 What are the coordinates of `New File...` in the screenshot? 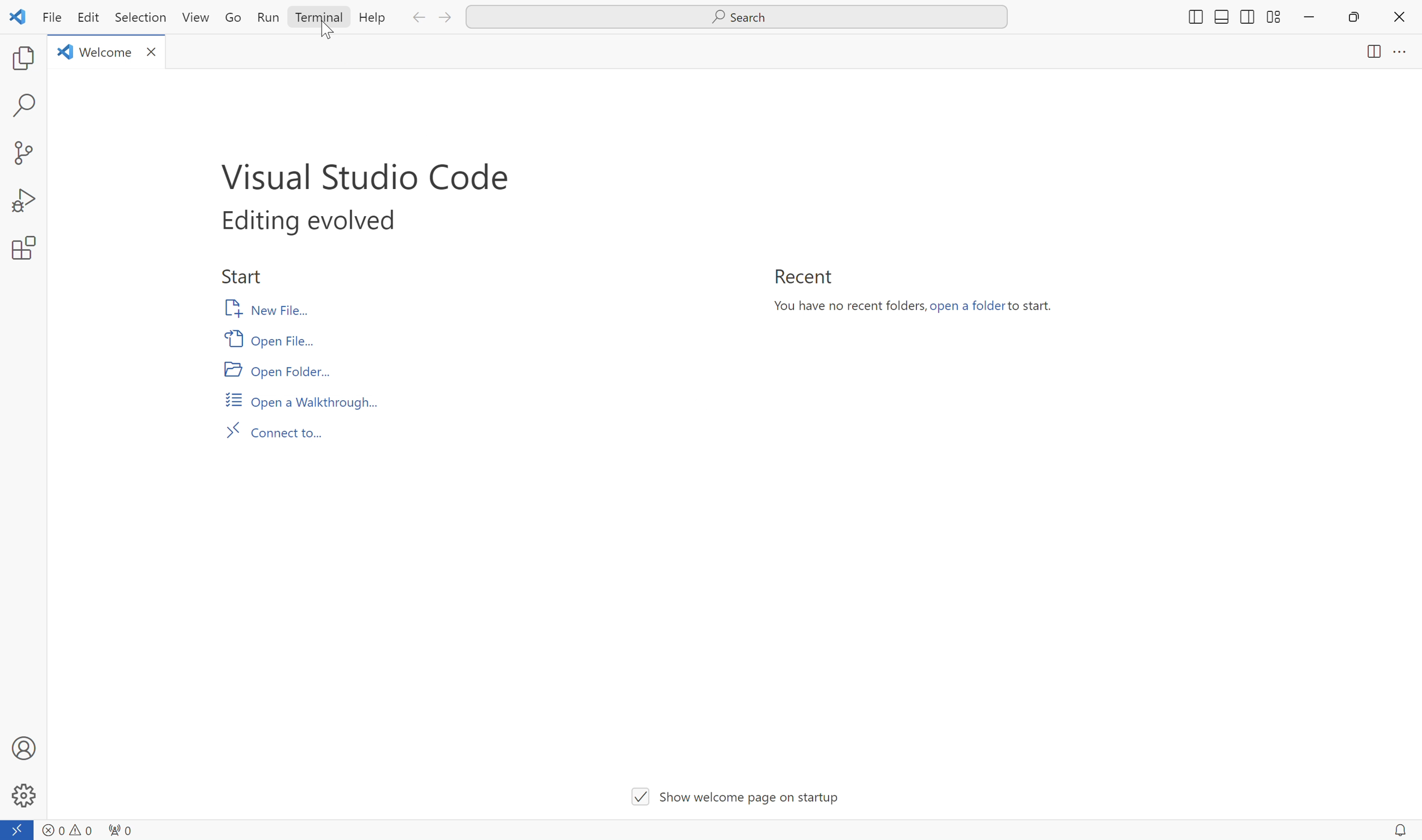 It's located at (270, 308).